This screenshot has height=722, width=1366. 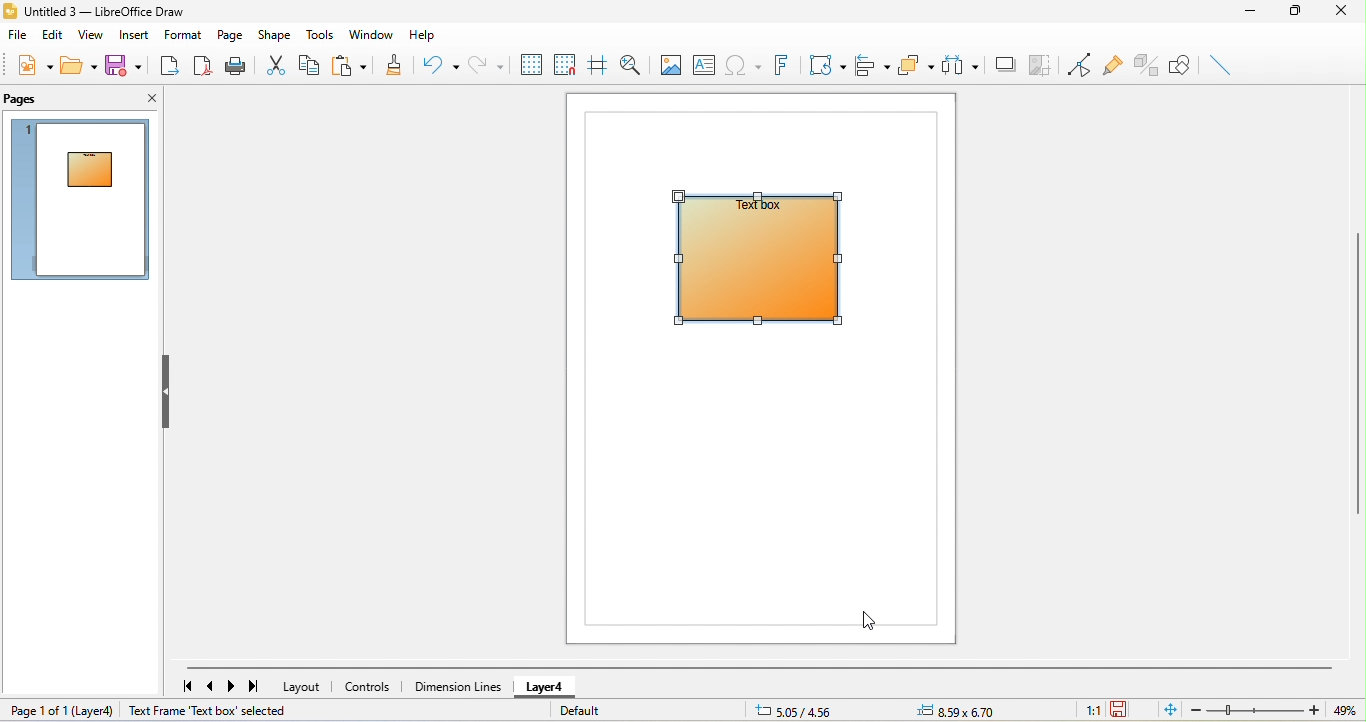 What do you see at coordinates (543, 689) in the screenshot?
I see `layer 4` at bounding box center [543, 689].